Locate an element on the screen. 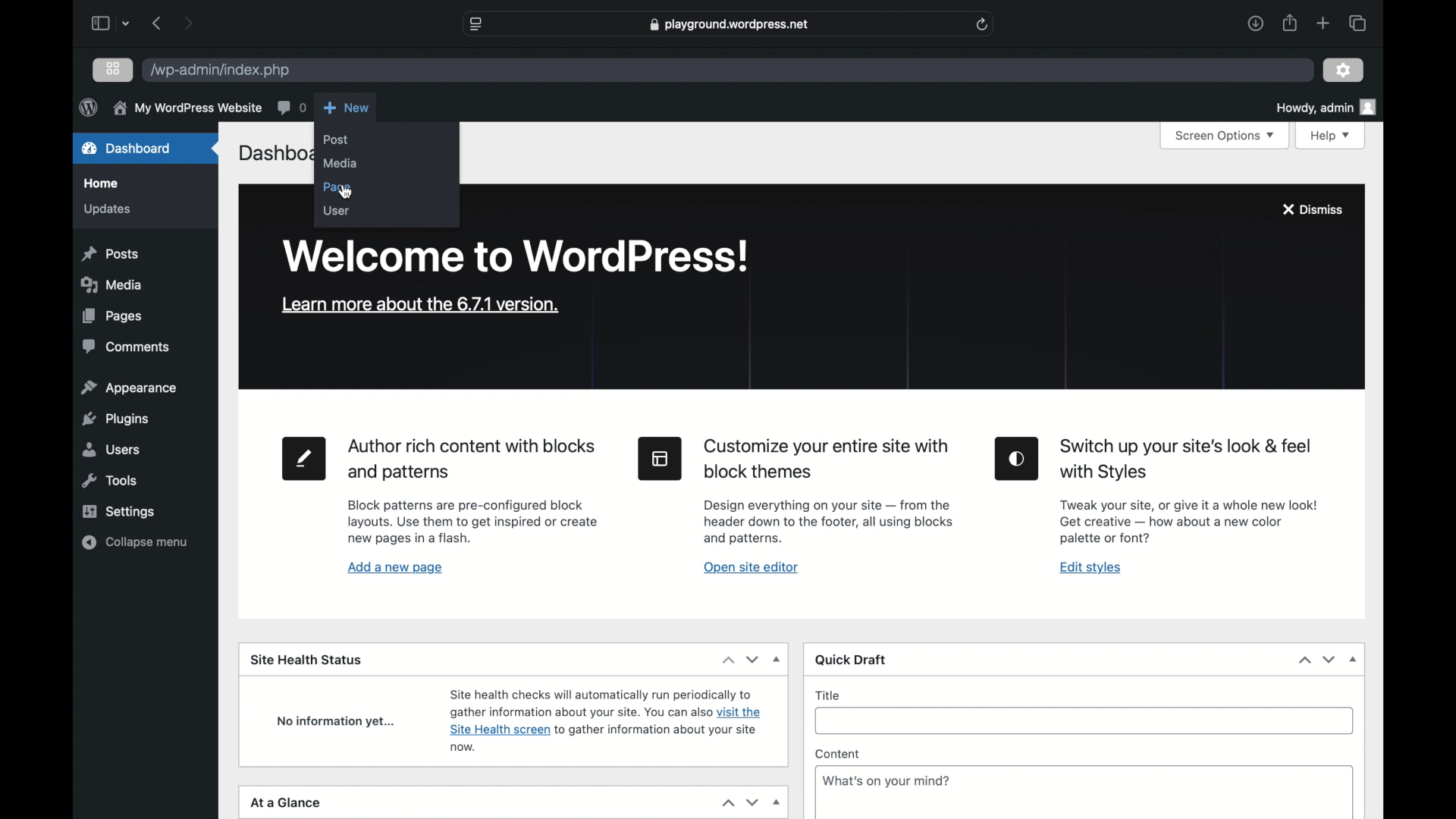  post is located at coordinates (335, 140).